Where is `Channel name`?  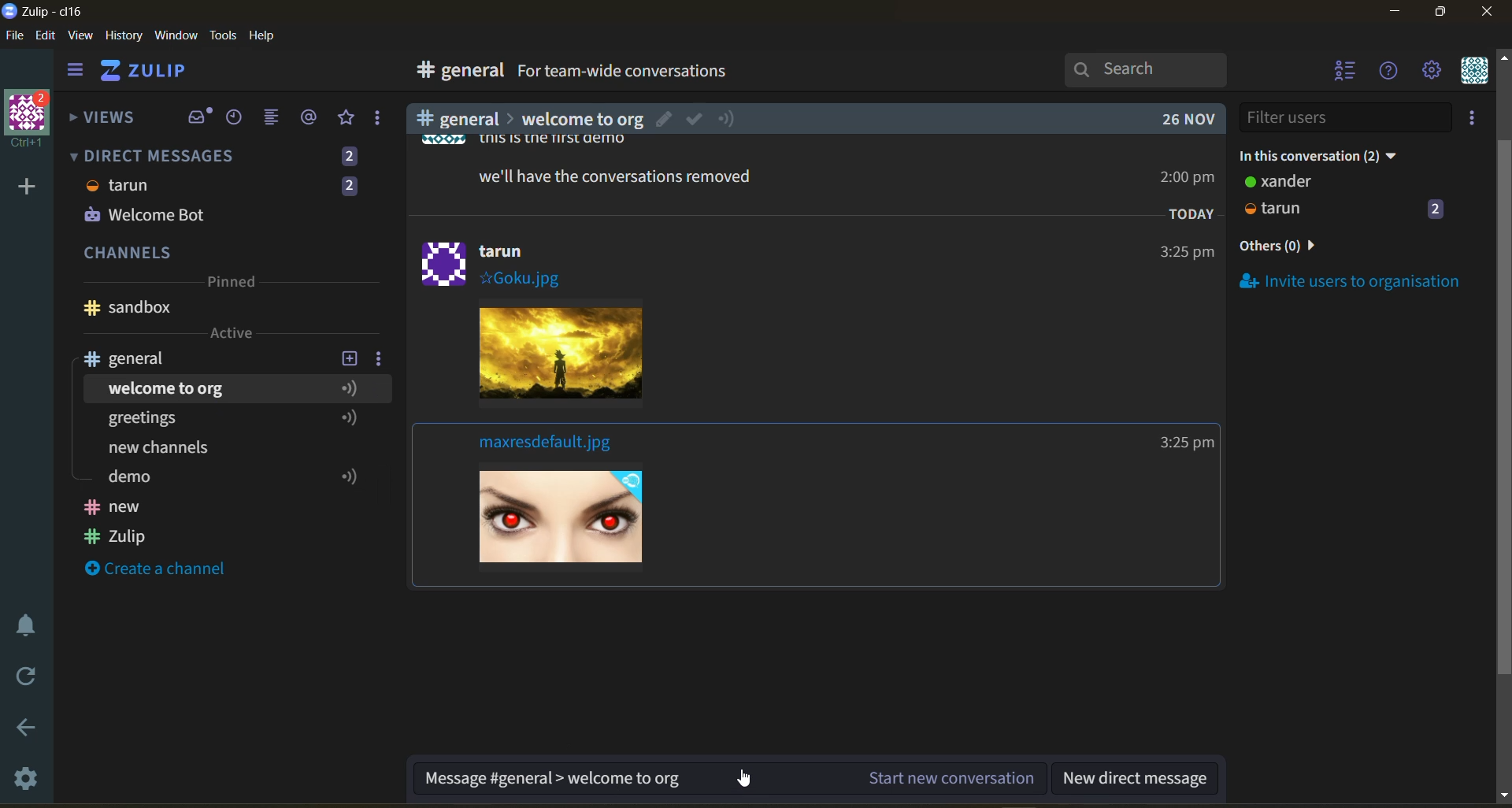
Channel name is located at coordinates (128, 308).